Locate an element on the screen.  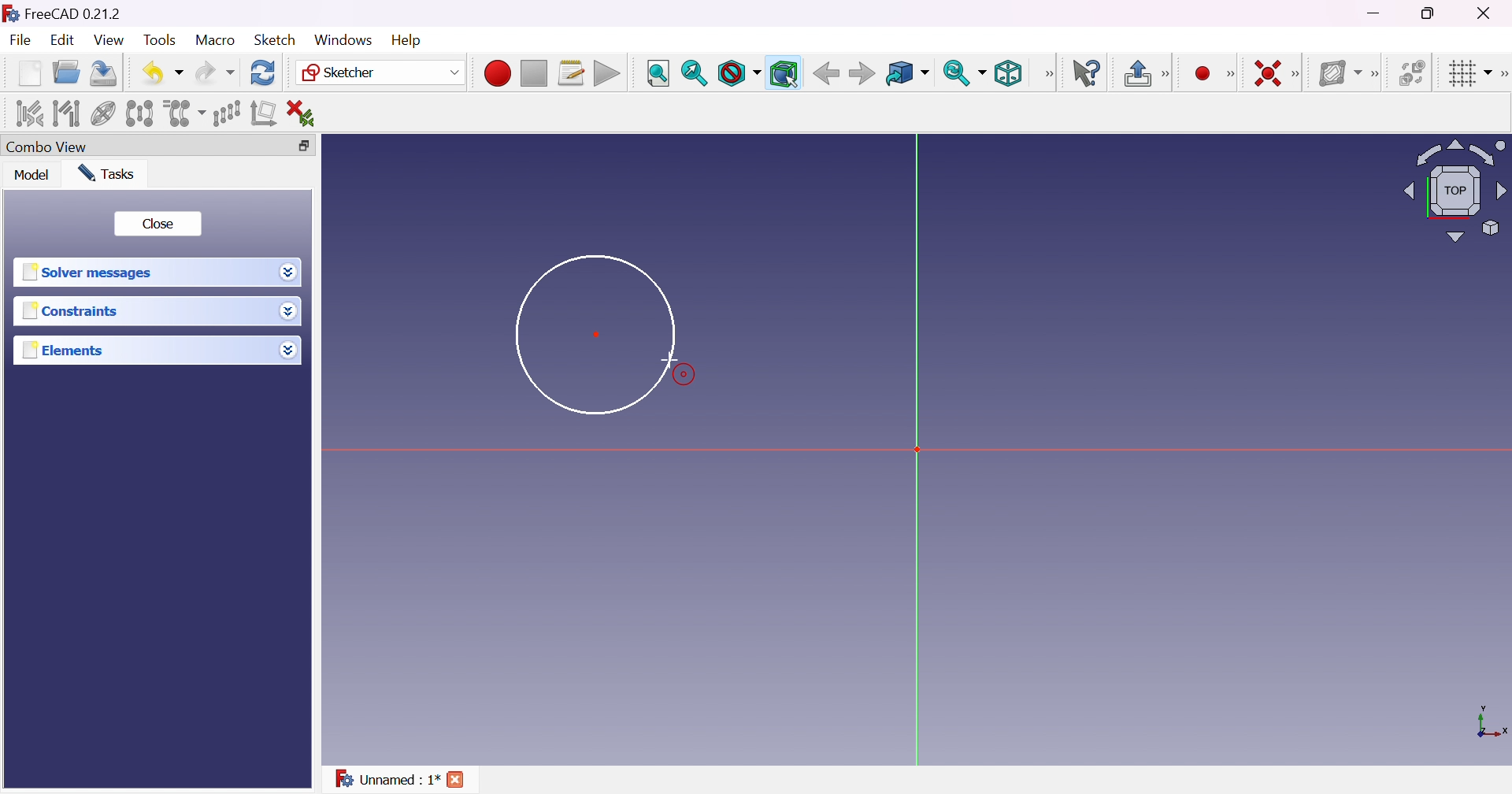
Close is located at coordinates (1492, 13).